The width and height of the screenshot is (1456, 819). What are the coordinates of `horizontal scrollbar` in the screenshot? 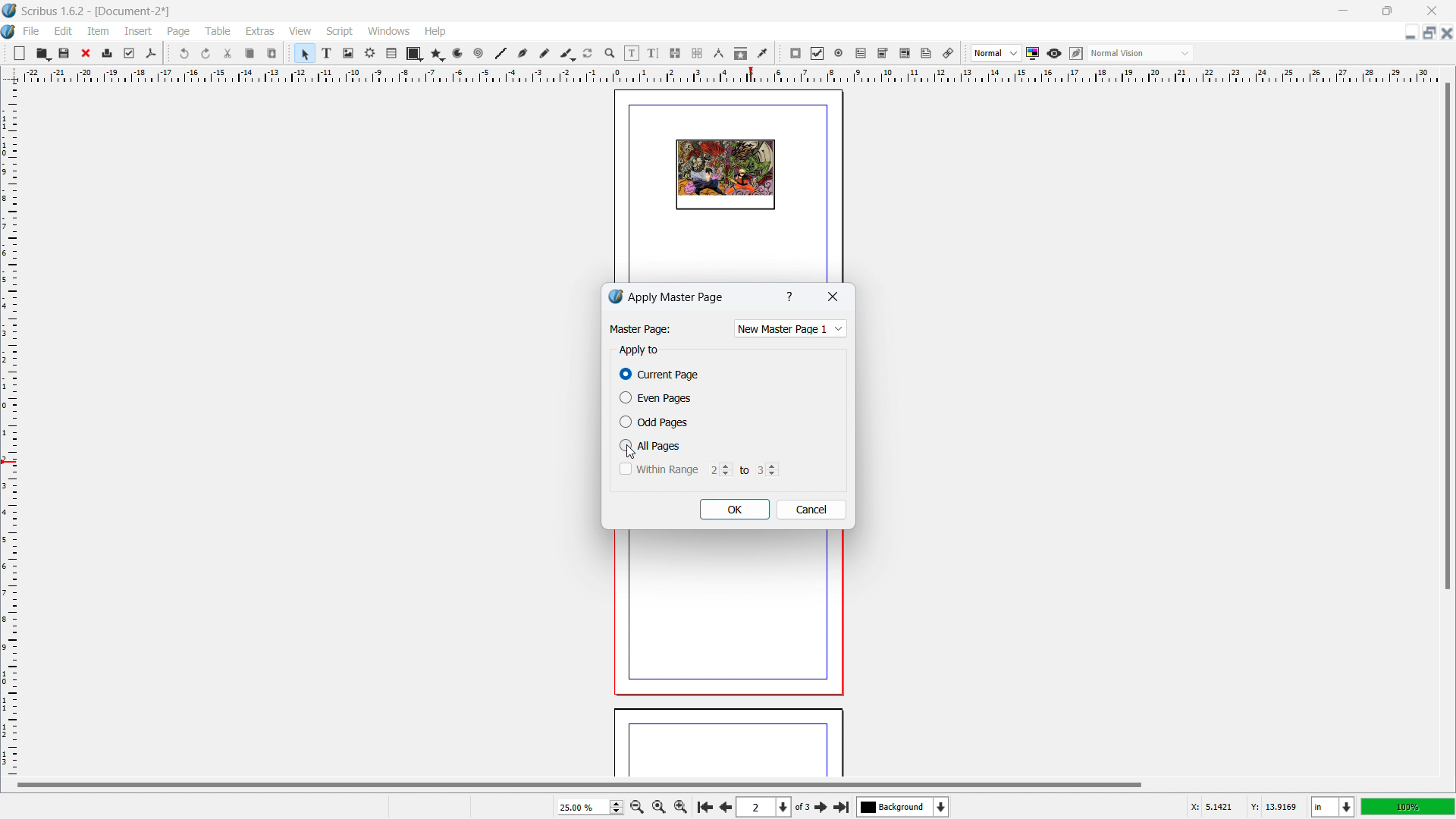 It's located at (579, 784).